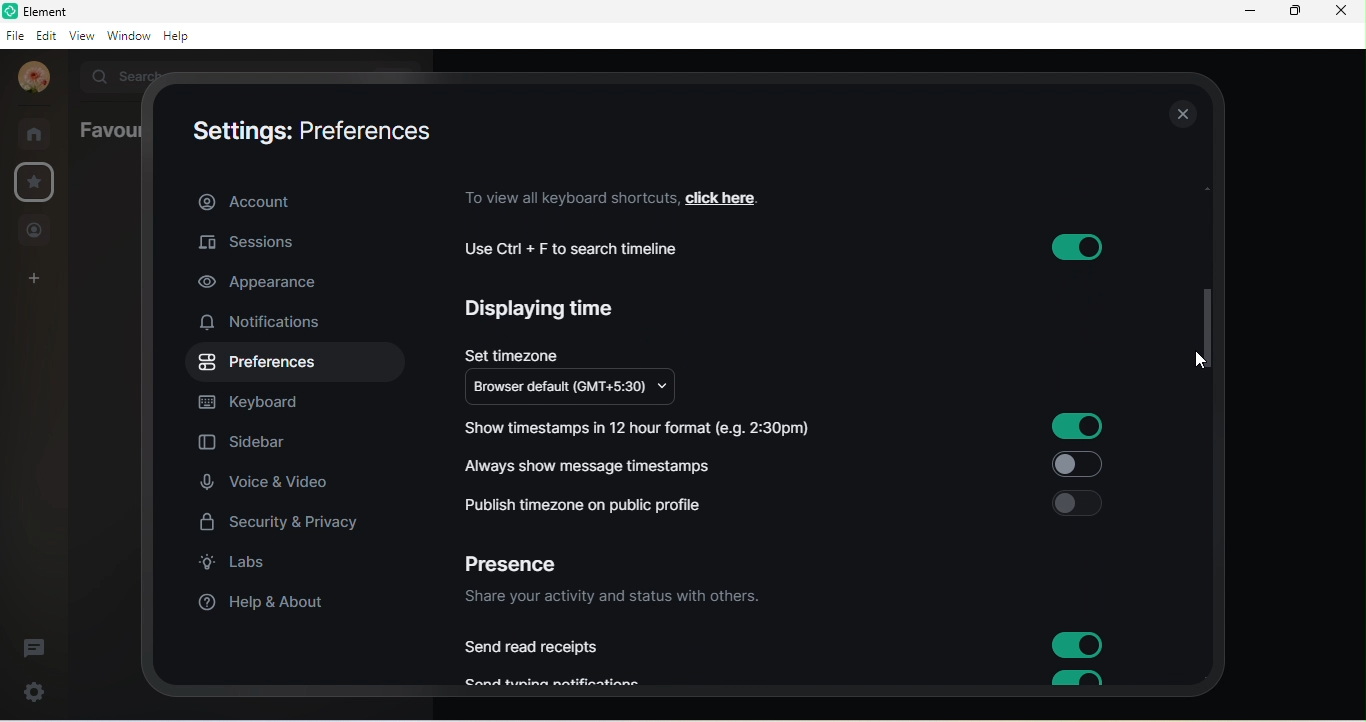  I want to click on maximize, so click(1293, 13).